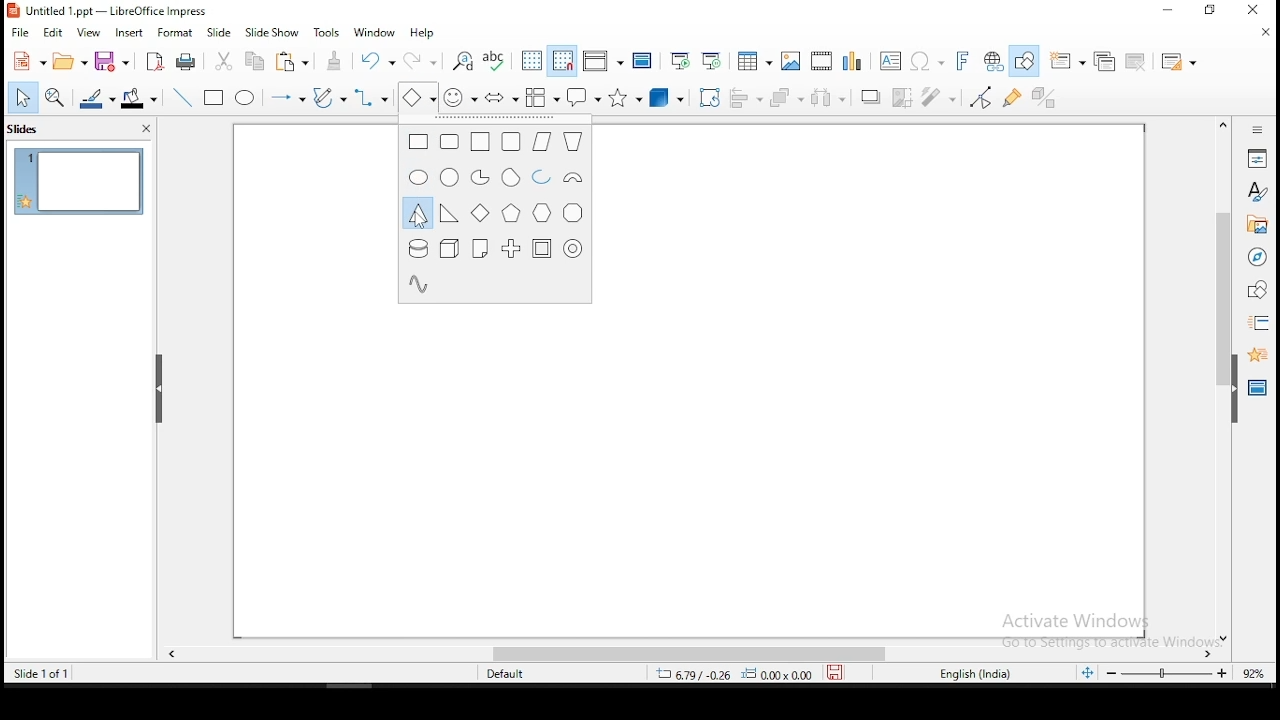 This screenshot has width=1280, height=720. I want to click on filter, so click(943, 97).